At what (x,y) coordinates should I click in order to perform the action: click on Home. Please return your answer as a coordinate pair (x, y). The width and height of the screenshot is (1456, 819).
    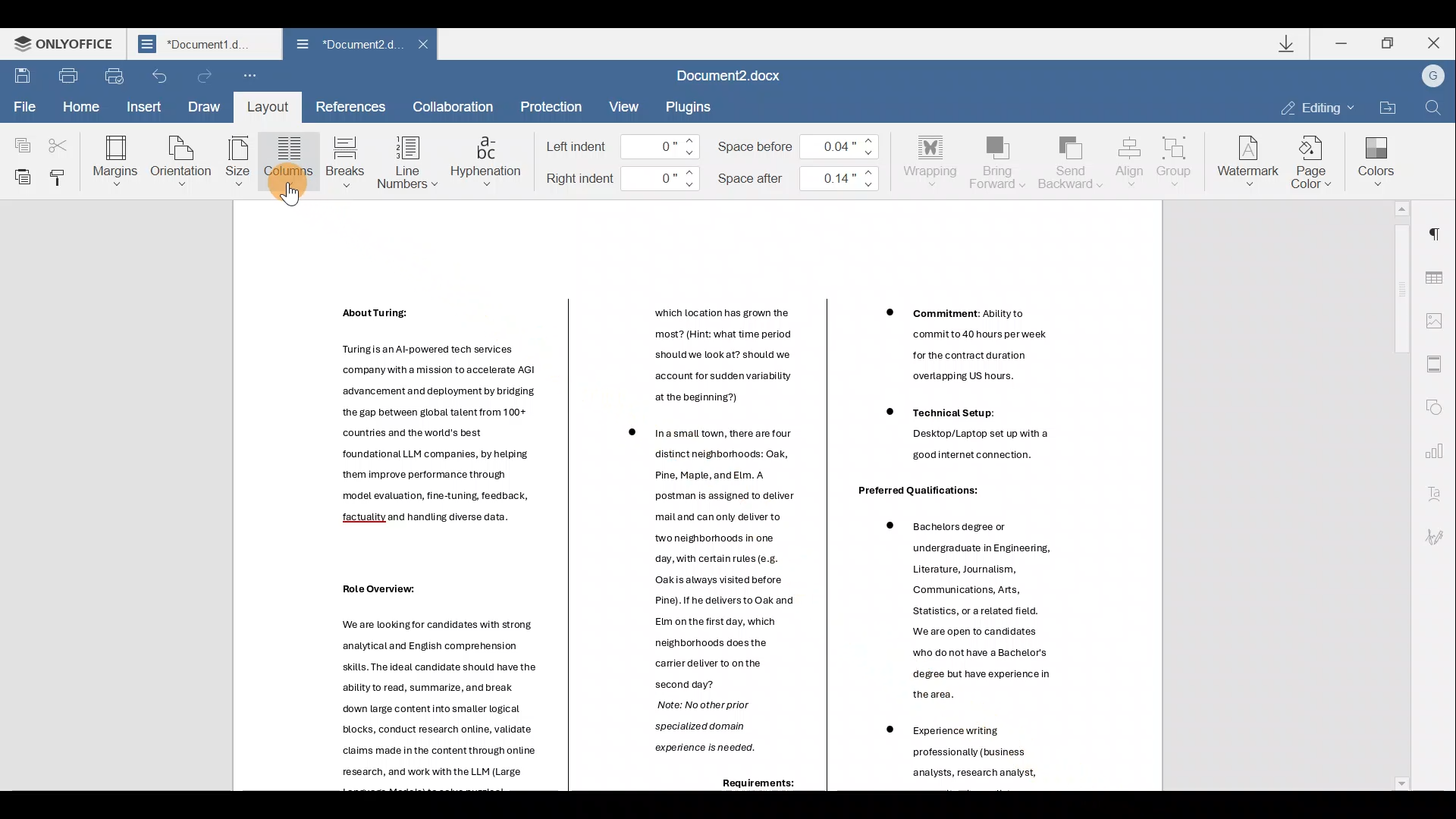
    Looking at the image, I should click on (80, 105).